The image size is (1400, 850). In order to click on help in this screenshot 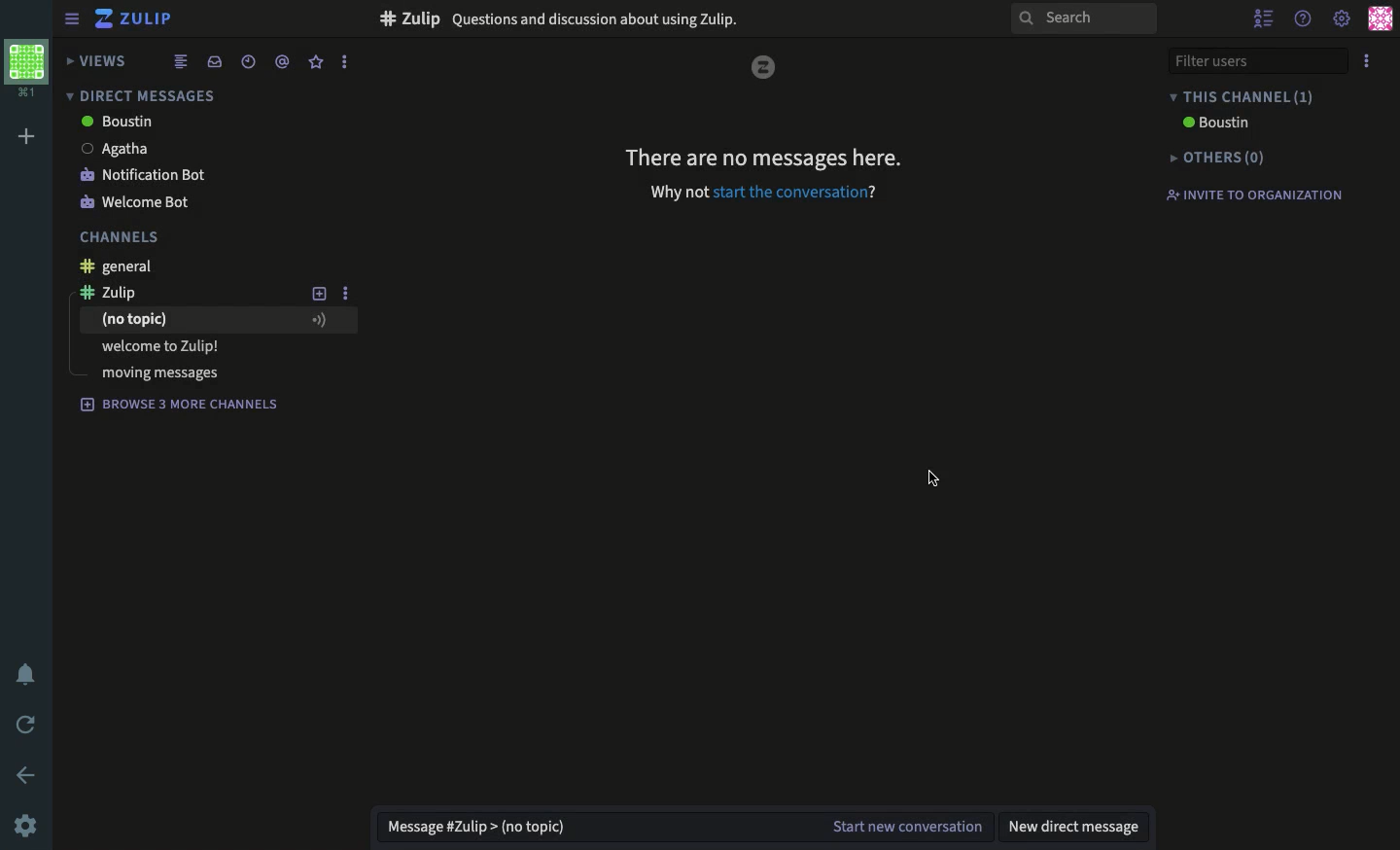, I will do `click(1302, 19)`.